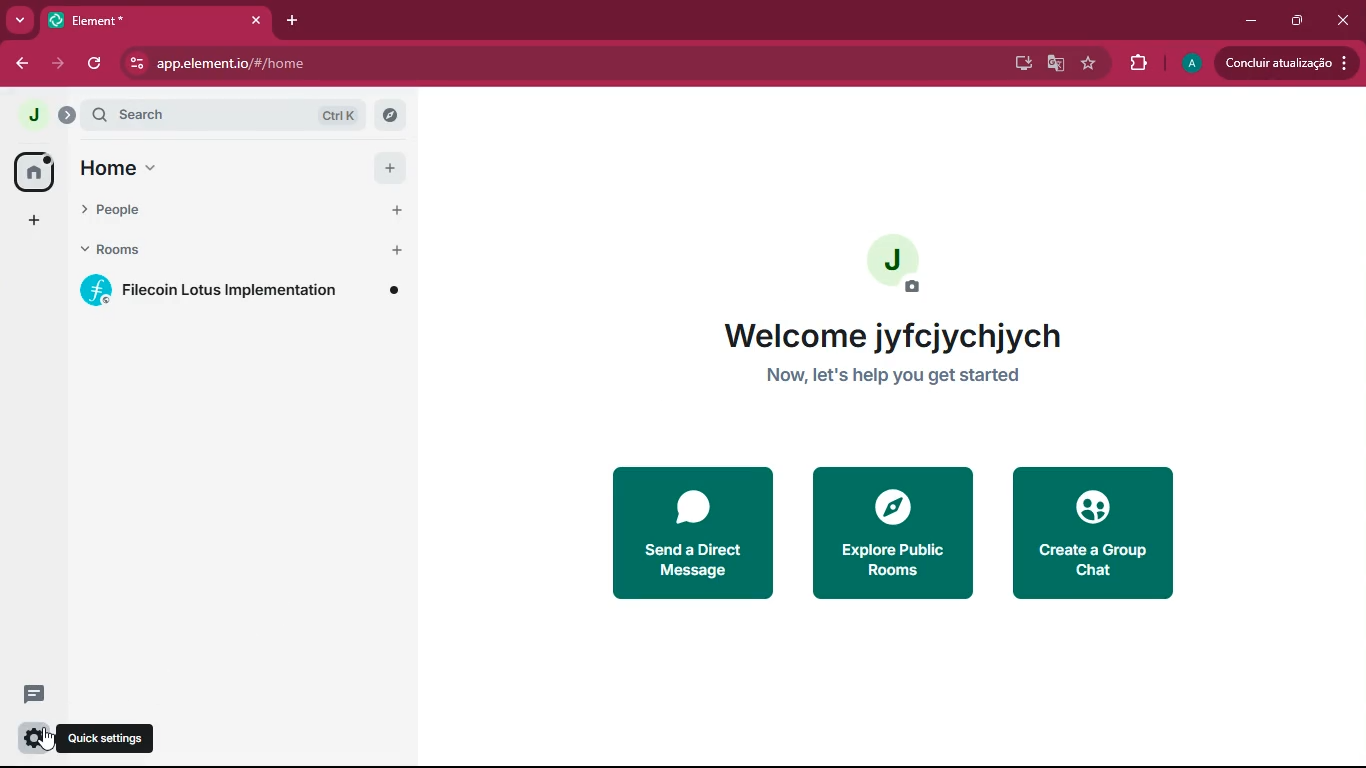 Image resolution: width=1366 pixels, height=768 pixels. Describe the element at coordinates (23, 61) in the screenshot. I see `back` at that location.